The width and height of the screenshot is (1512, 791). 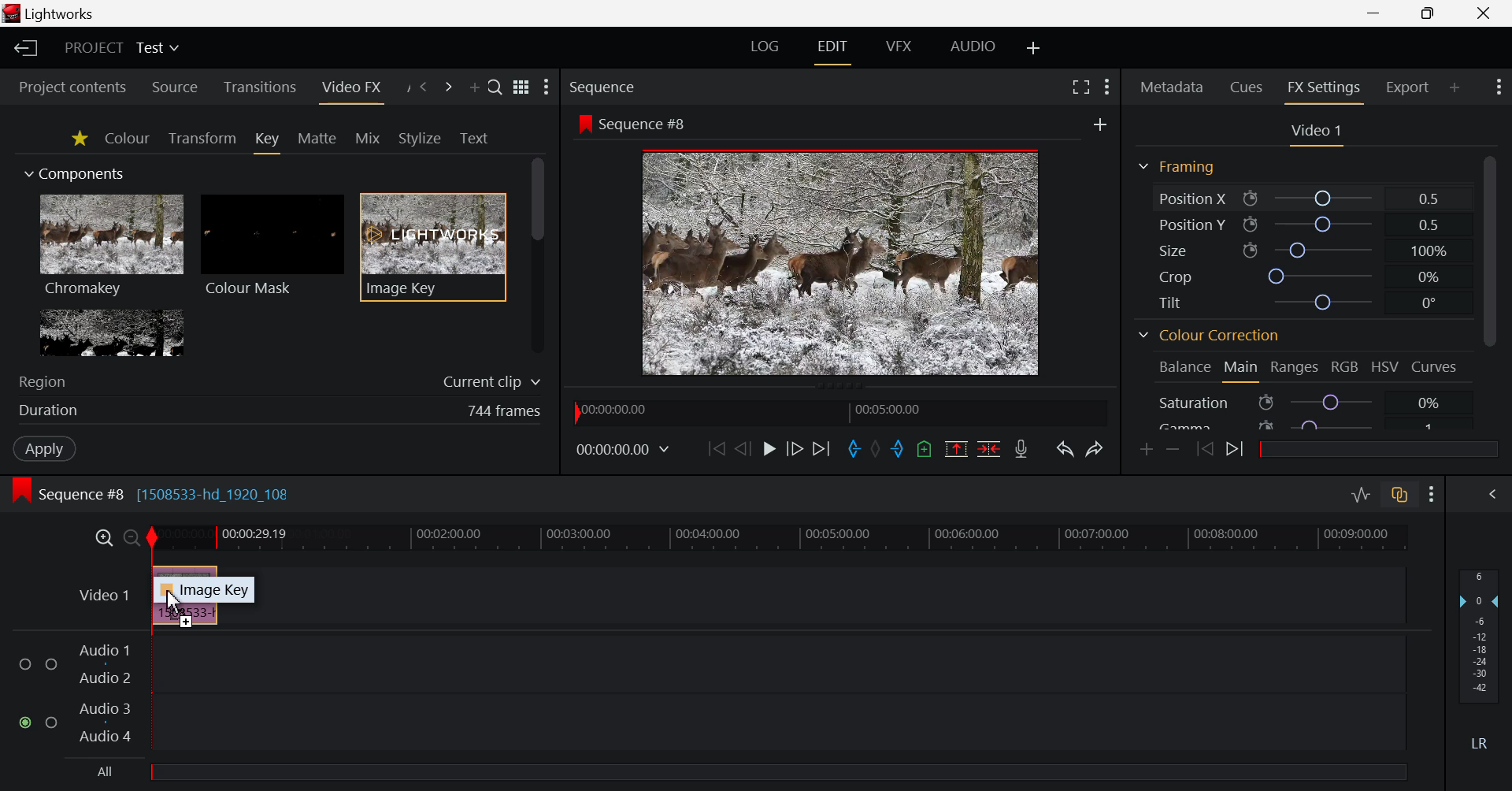 I want to click on Scroll Bar, so click(x=1488, y=287).